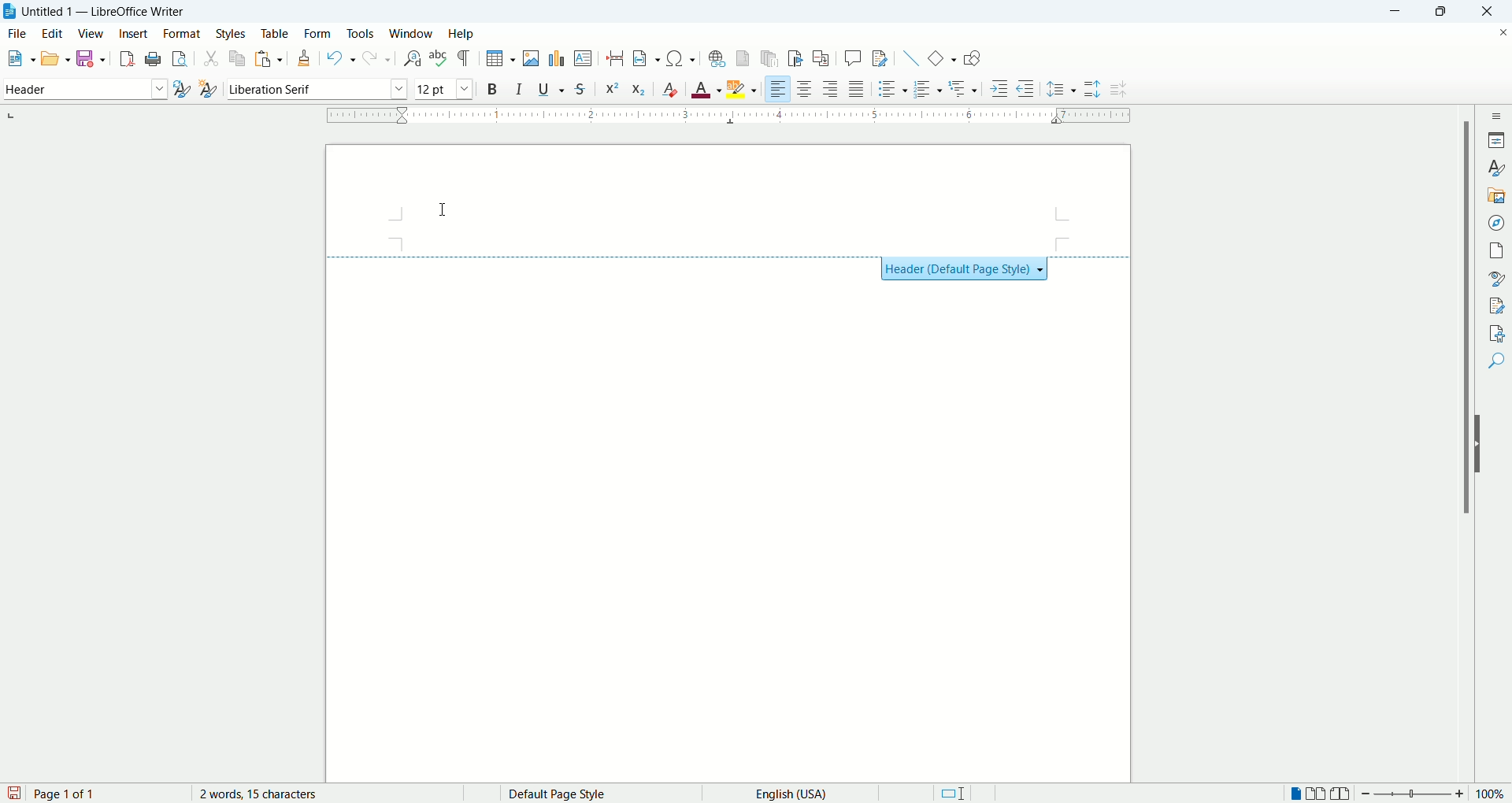  Describe the element at coordinates (92, 34) in the screenshot. I see `view` at that location.